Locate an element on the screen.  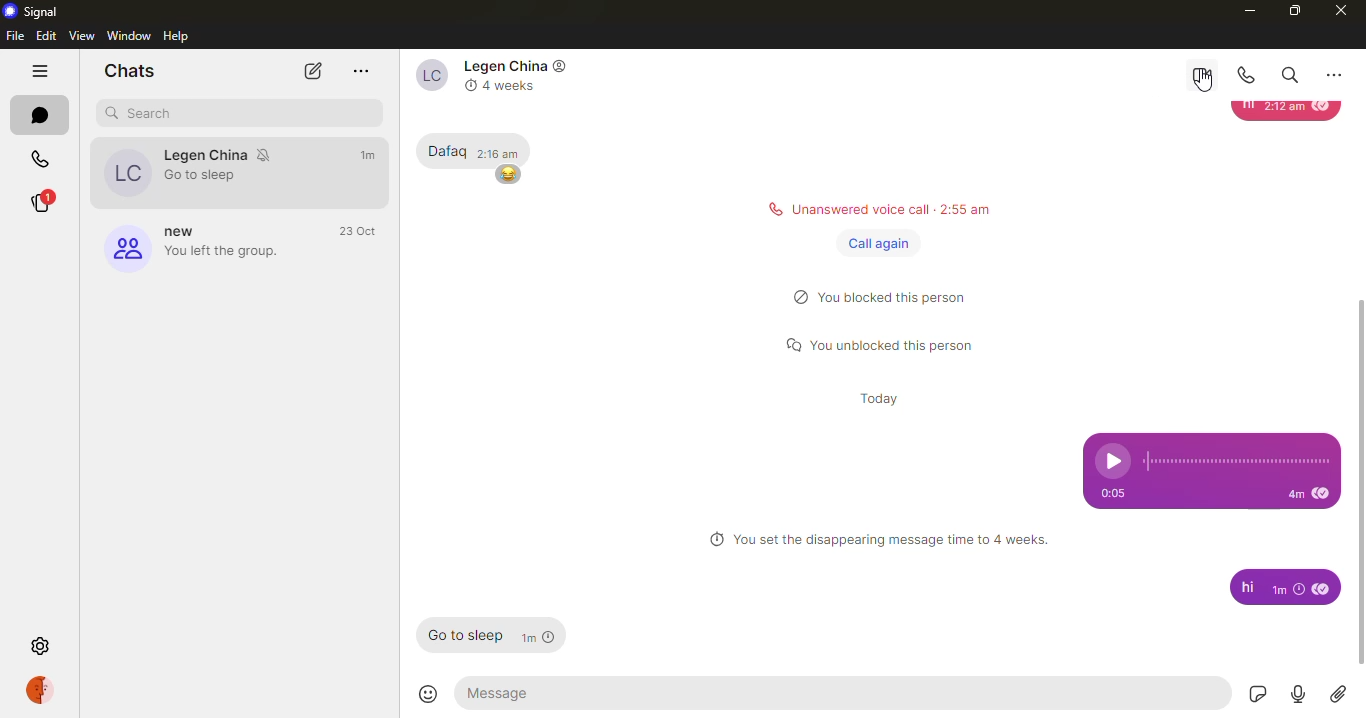
contact is located at coordinates (428, 74).